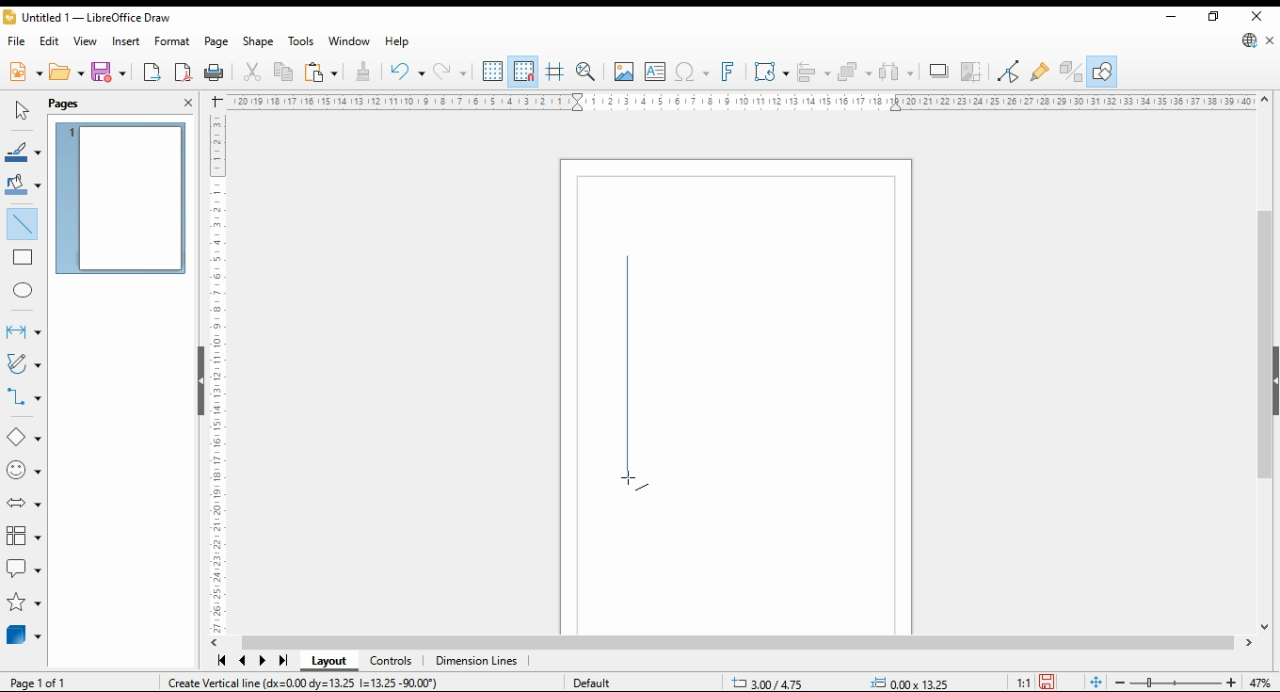  Describe the element at coordinates (1262, 681) in the screenshot. I see `zoom factor` at that location.